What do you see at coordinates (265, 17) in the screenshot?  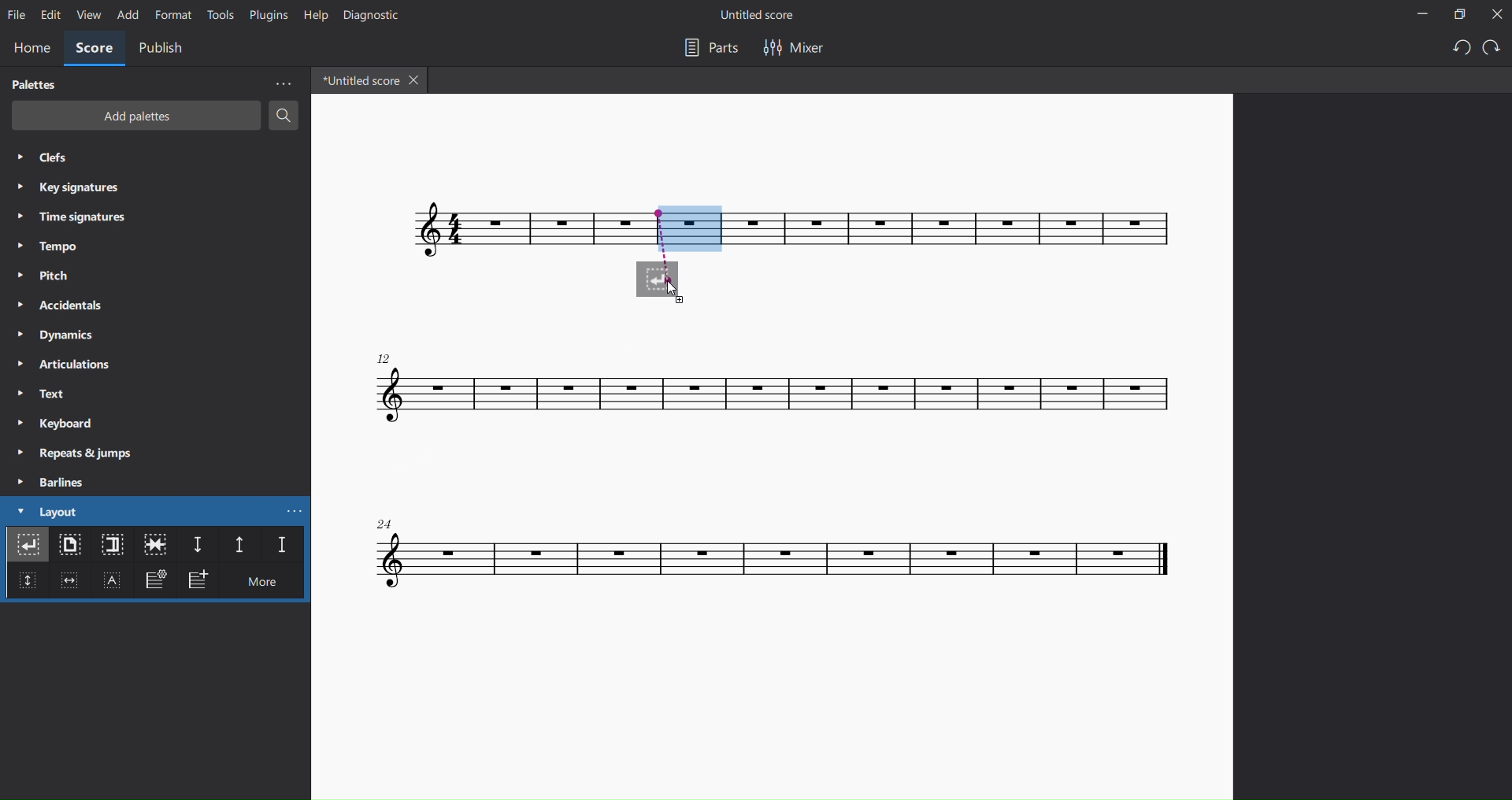 I see `plugins` at bounding box center [265, 17].